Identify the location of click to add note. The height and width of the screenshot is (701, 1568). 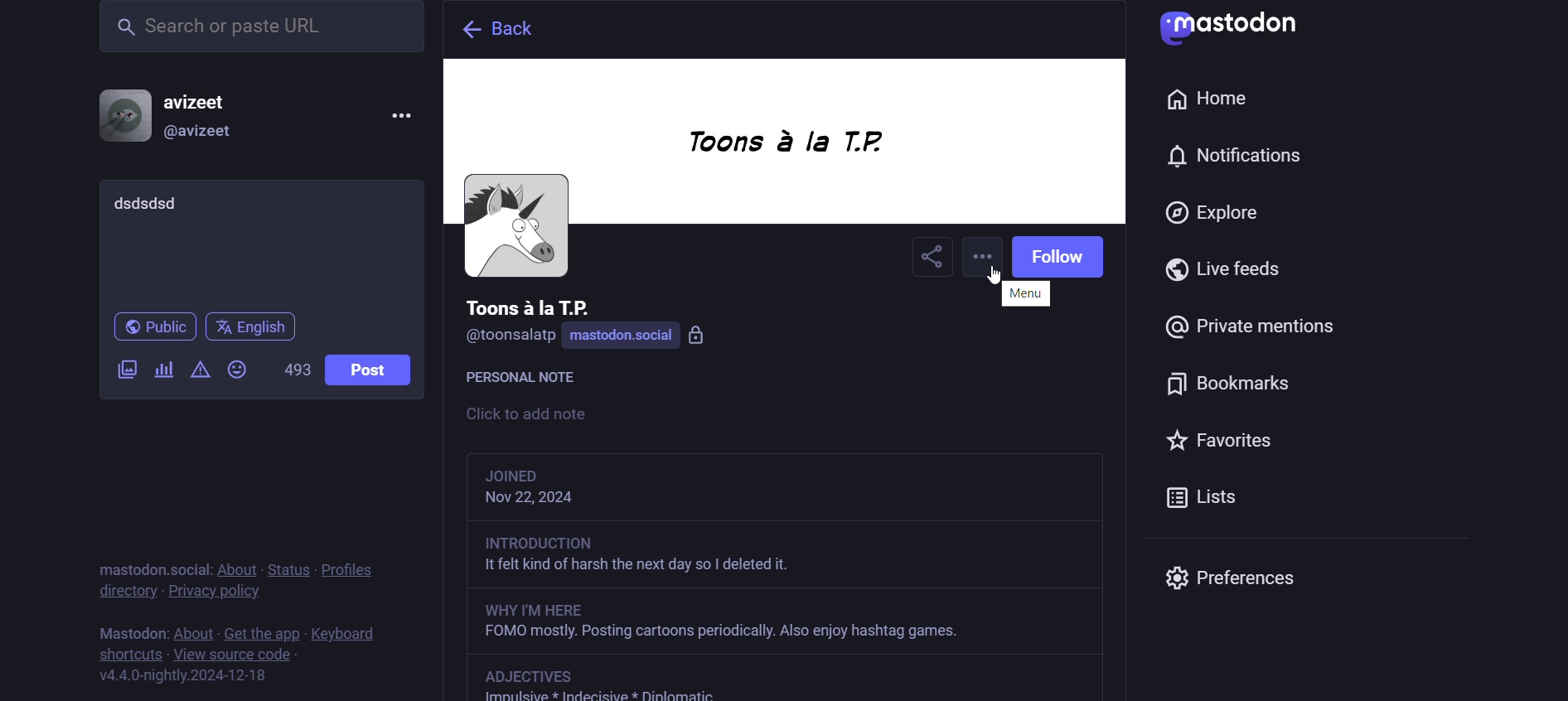
(569, 416).